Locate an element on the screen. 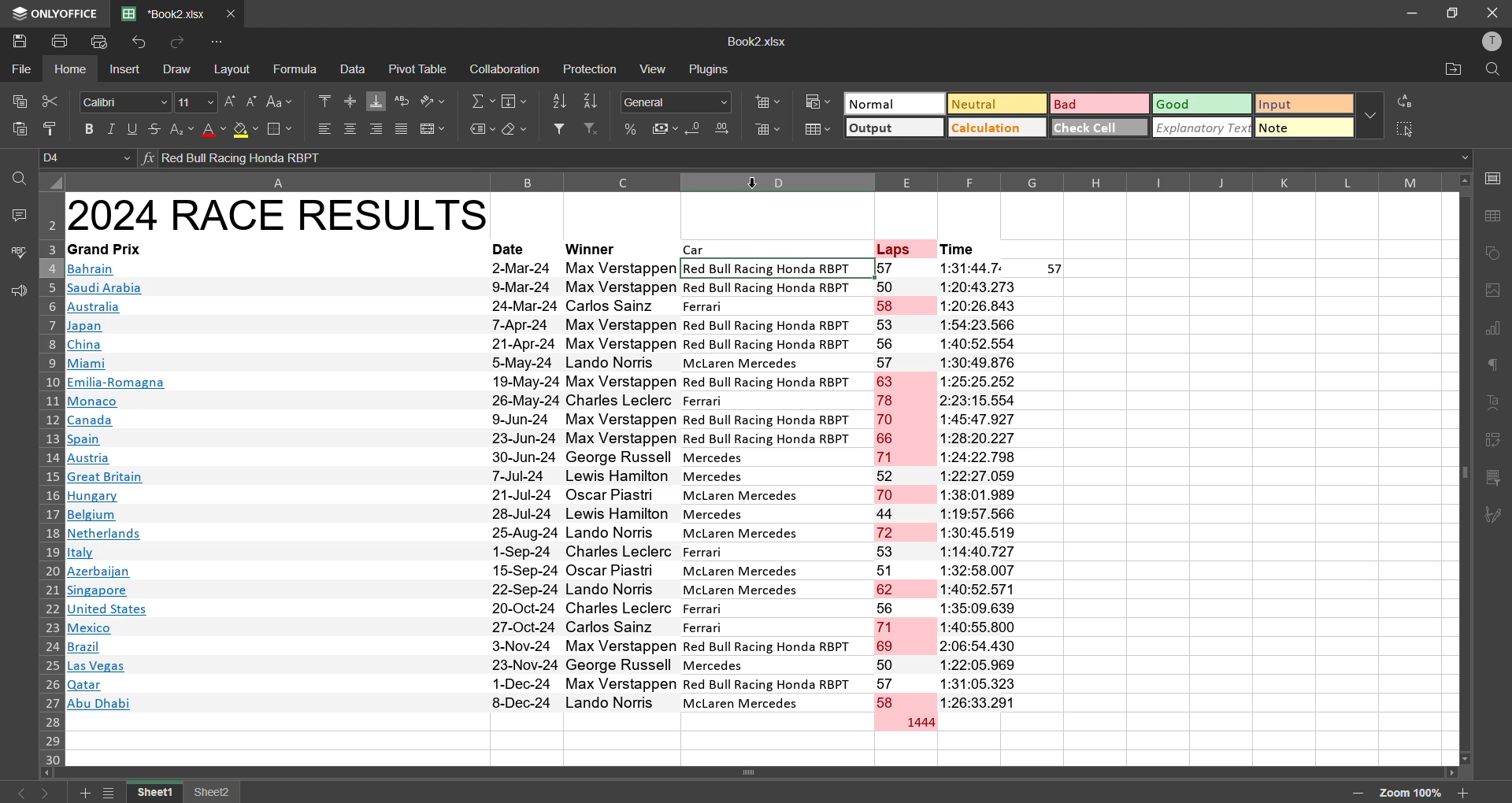  font color is located at coordinates (213, 129).